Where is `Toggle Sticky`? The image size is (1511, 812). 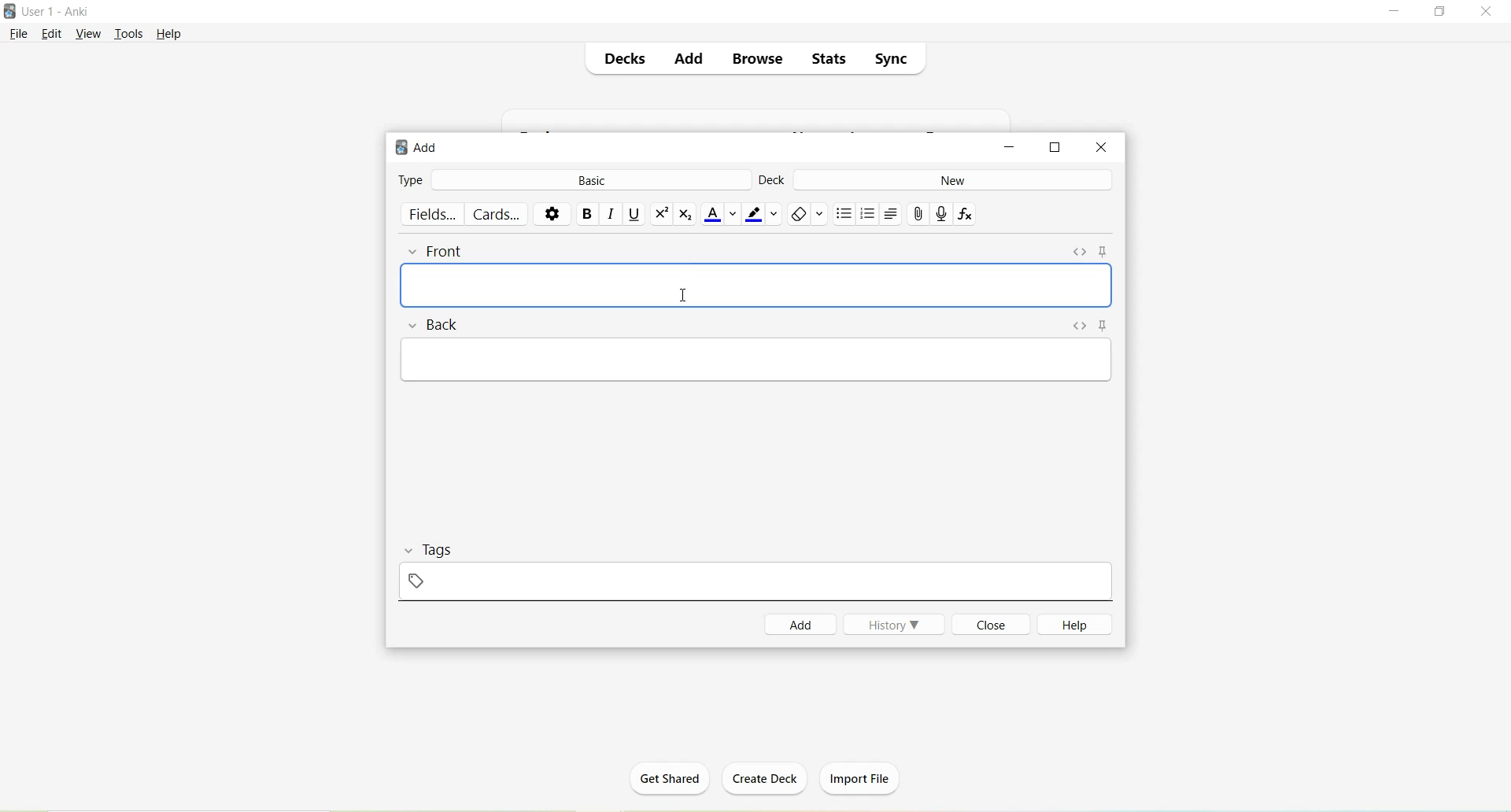 Toggle Sticky is located at coordinates (1109, 327).